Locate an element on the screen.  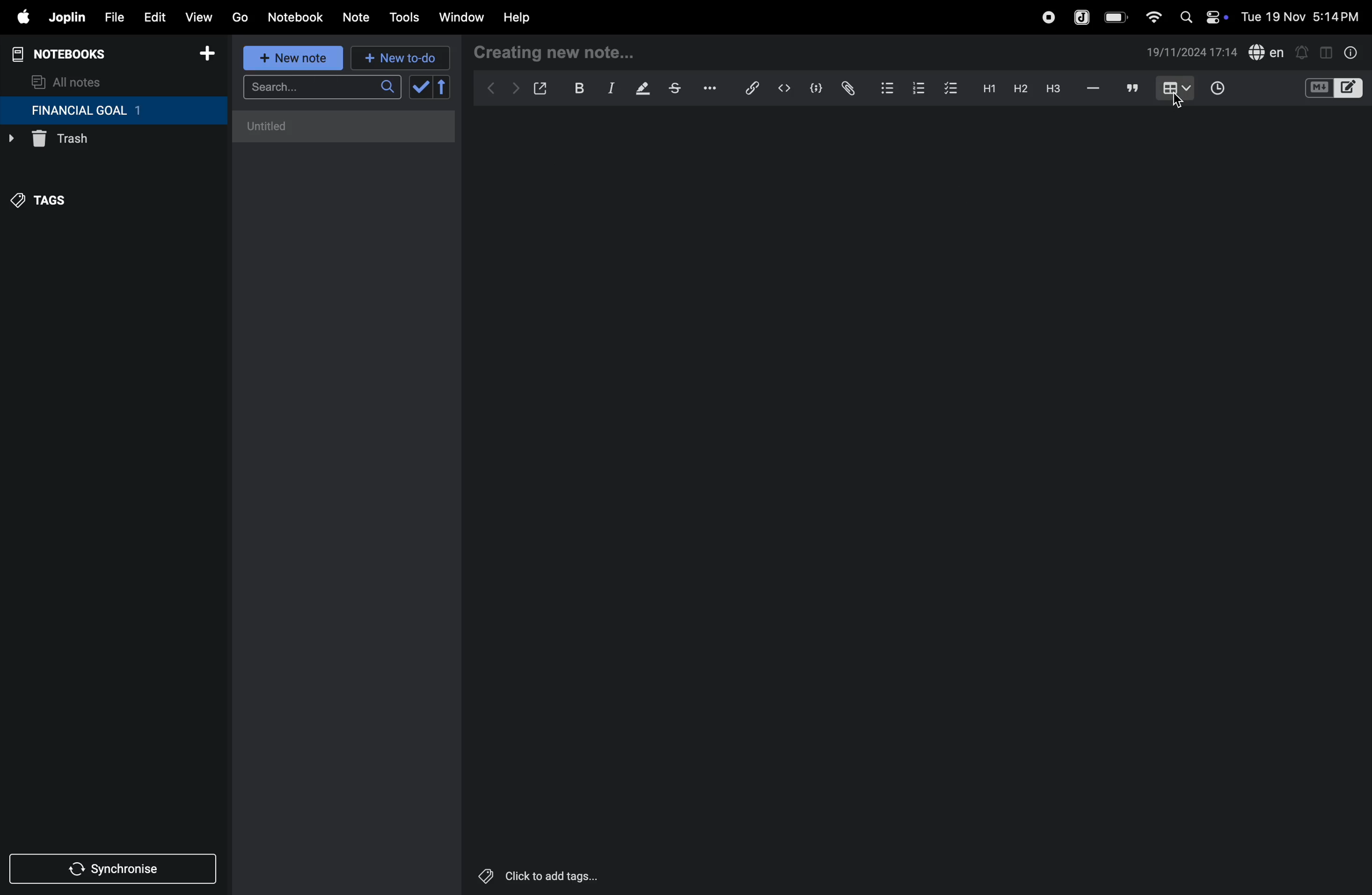
H1 is located at coordinates (987, 89).